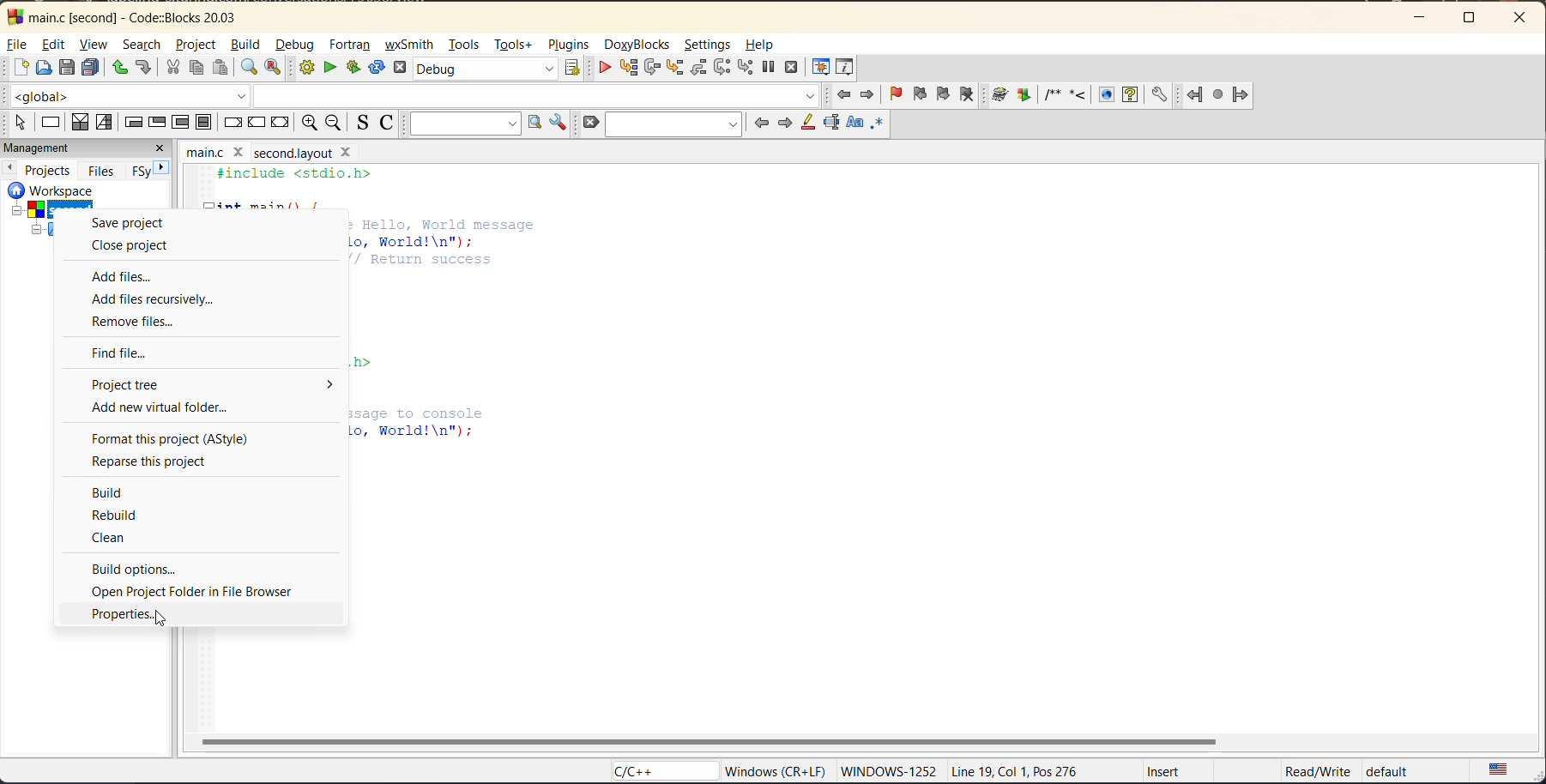 The width and height of the screenshot is (1546, 784). What do you see at coordinates (708, 740) in the screenshot?
I see `horizontal scroll bar` at bounding box center [708, 740].